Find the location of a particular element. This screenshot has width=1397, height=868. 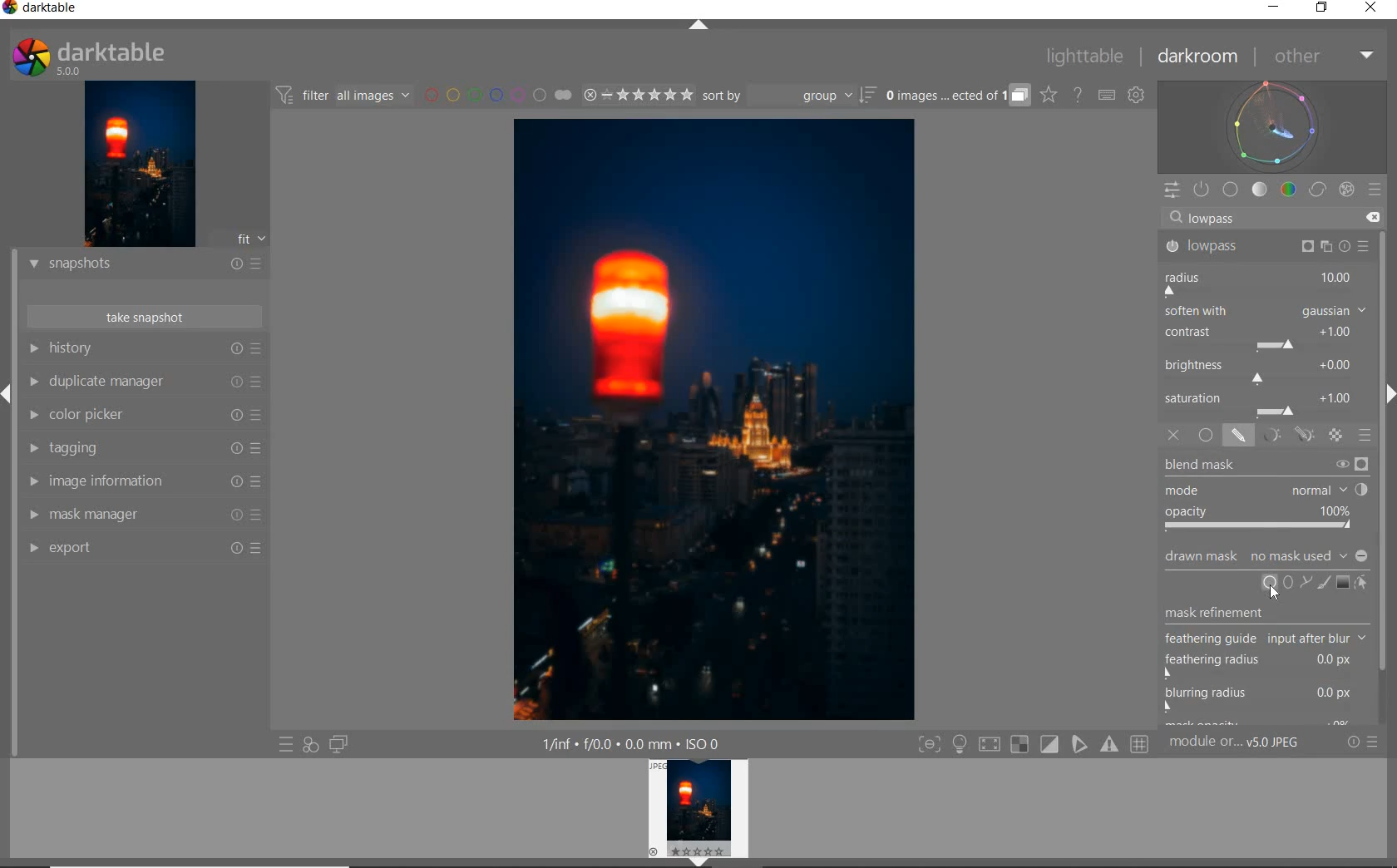

IMAGE INFORMATION is located at coordinates (143, 483).